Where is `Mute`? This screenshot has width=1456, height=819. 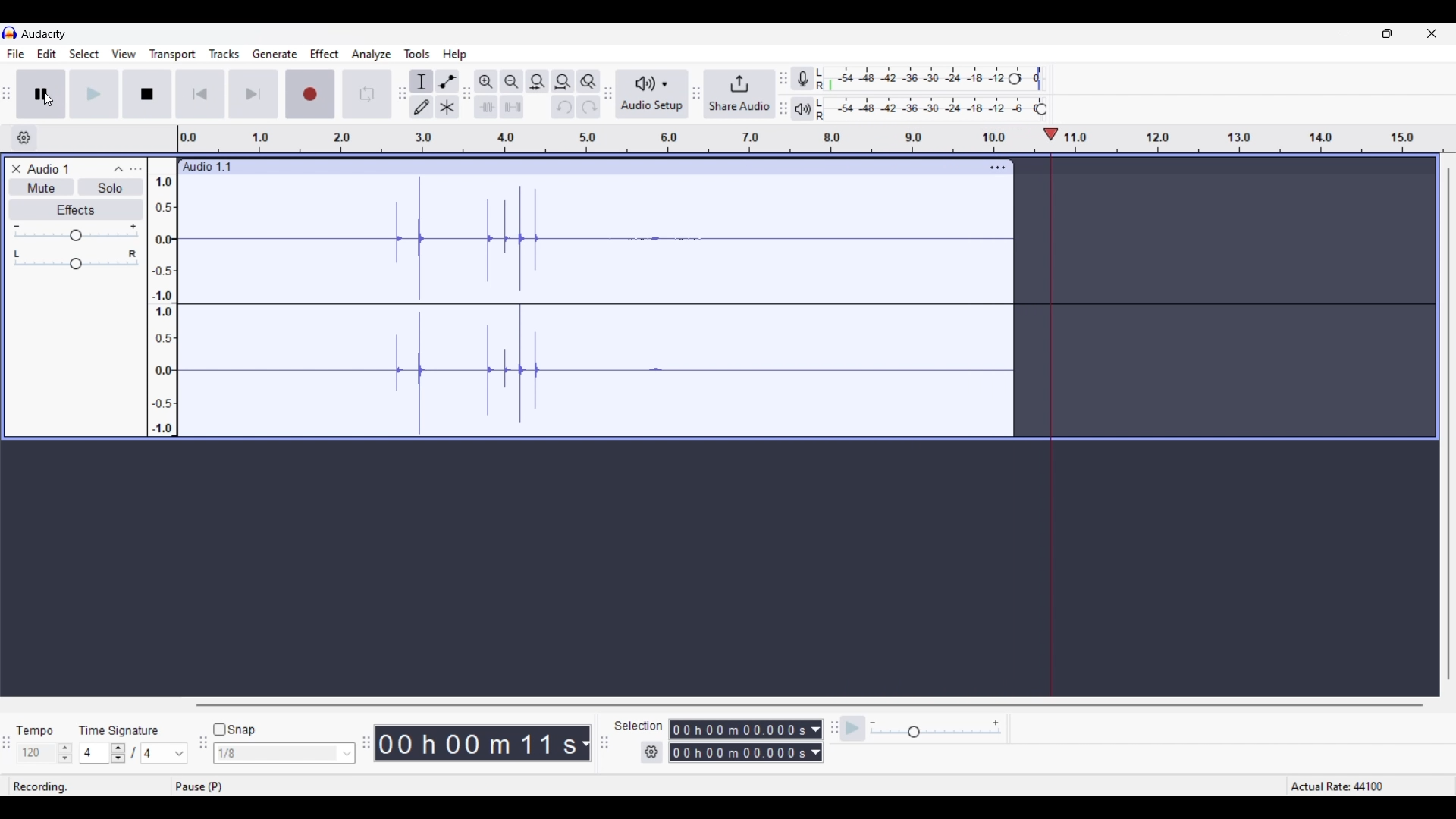 Mute is located at coordinates (40, 187).